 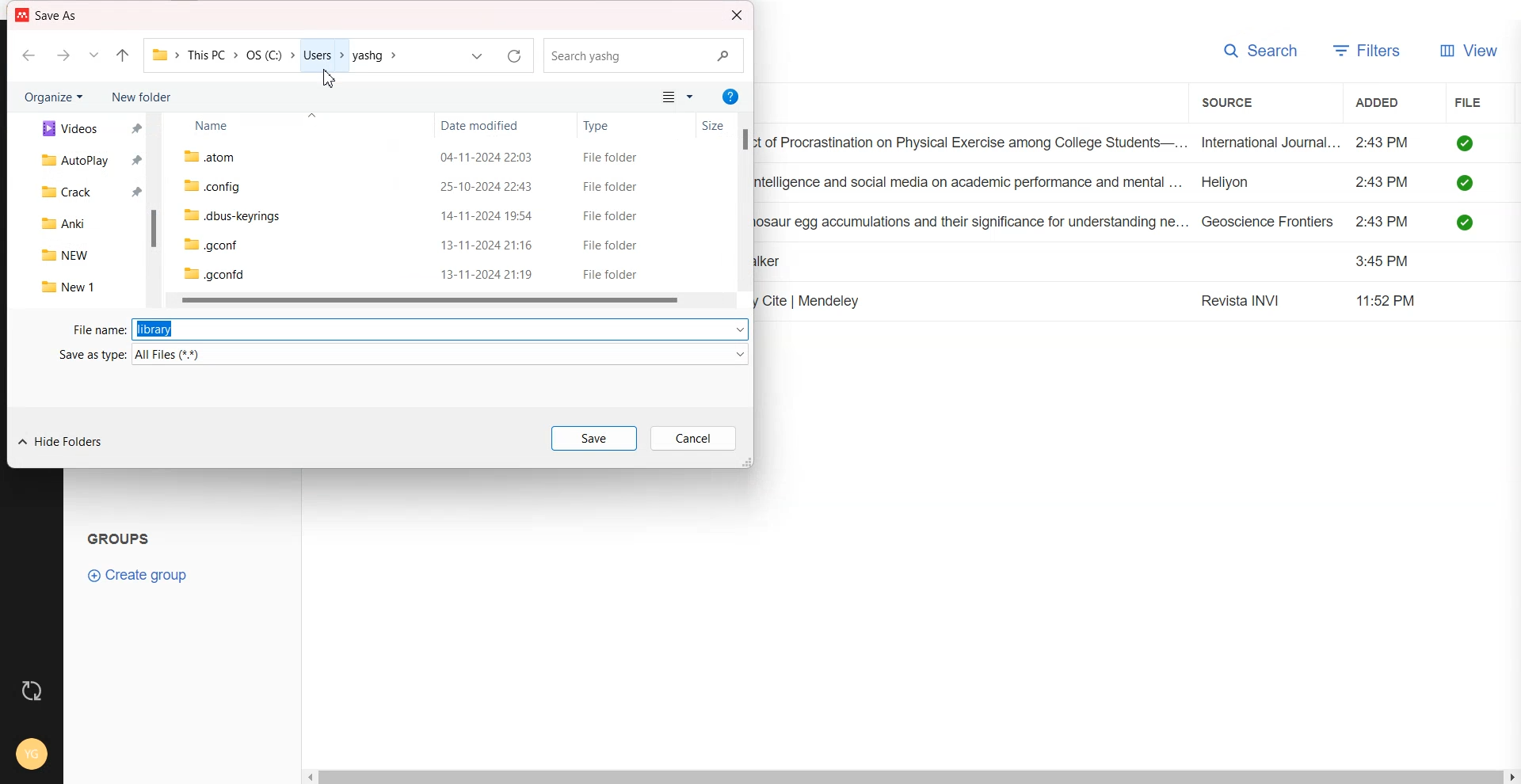 What do you see at coordinates (90, 223) in the screenshot?
I see `Anki` at bounding box center [90, 223].